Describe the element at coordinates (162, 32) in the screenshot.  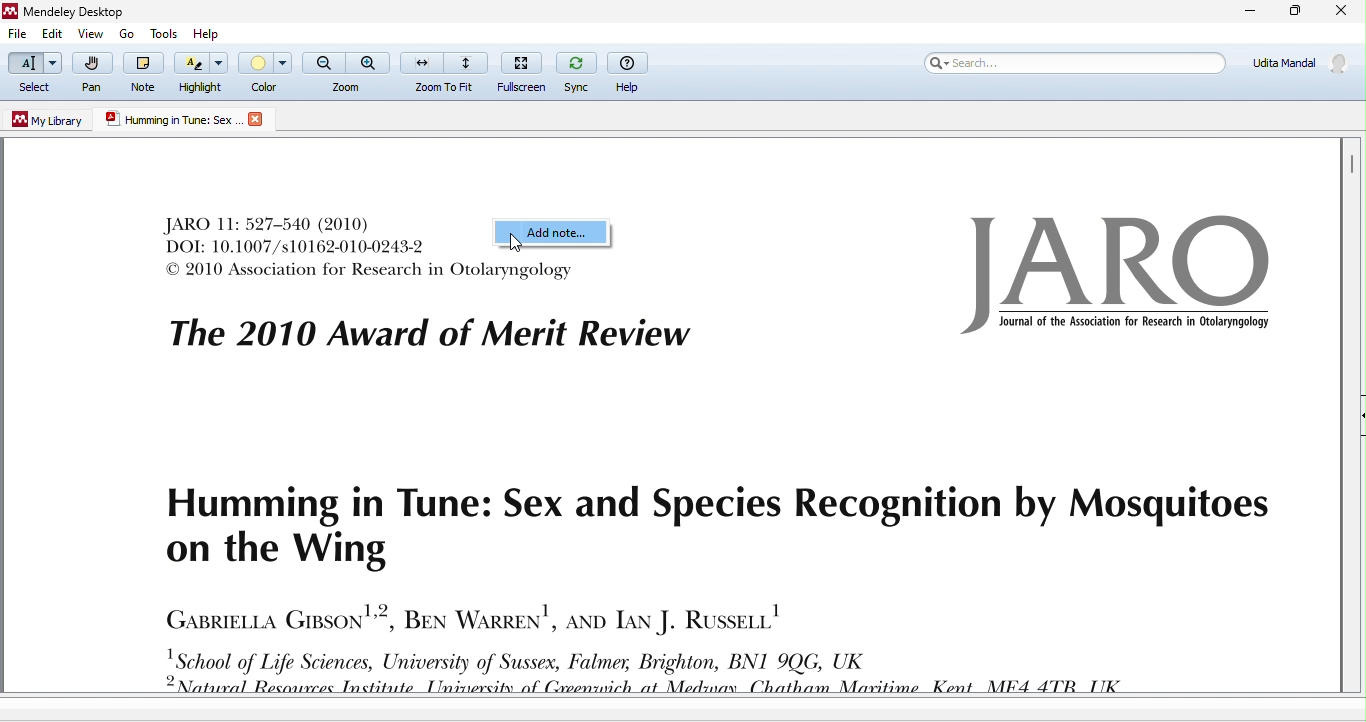
I see `tools` at that location.